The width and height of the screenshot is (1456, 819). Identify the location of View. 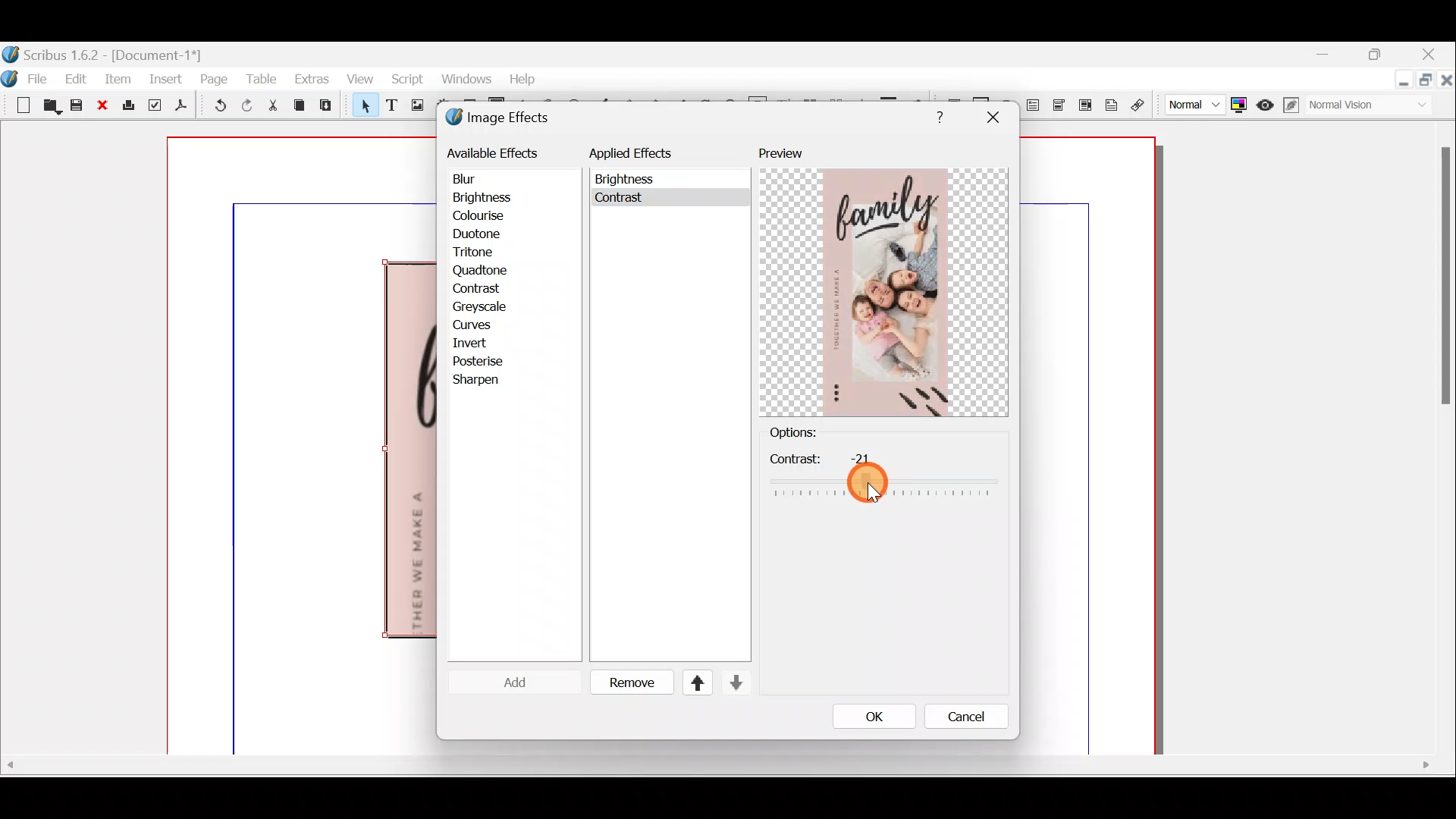
(358, 80).